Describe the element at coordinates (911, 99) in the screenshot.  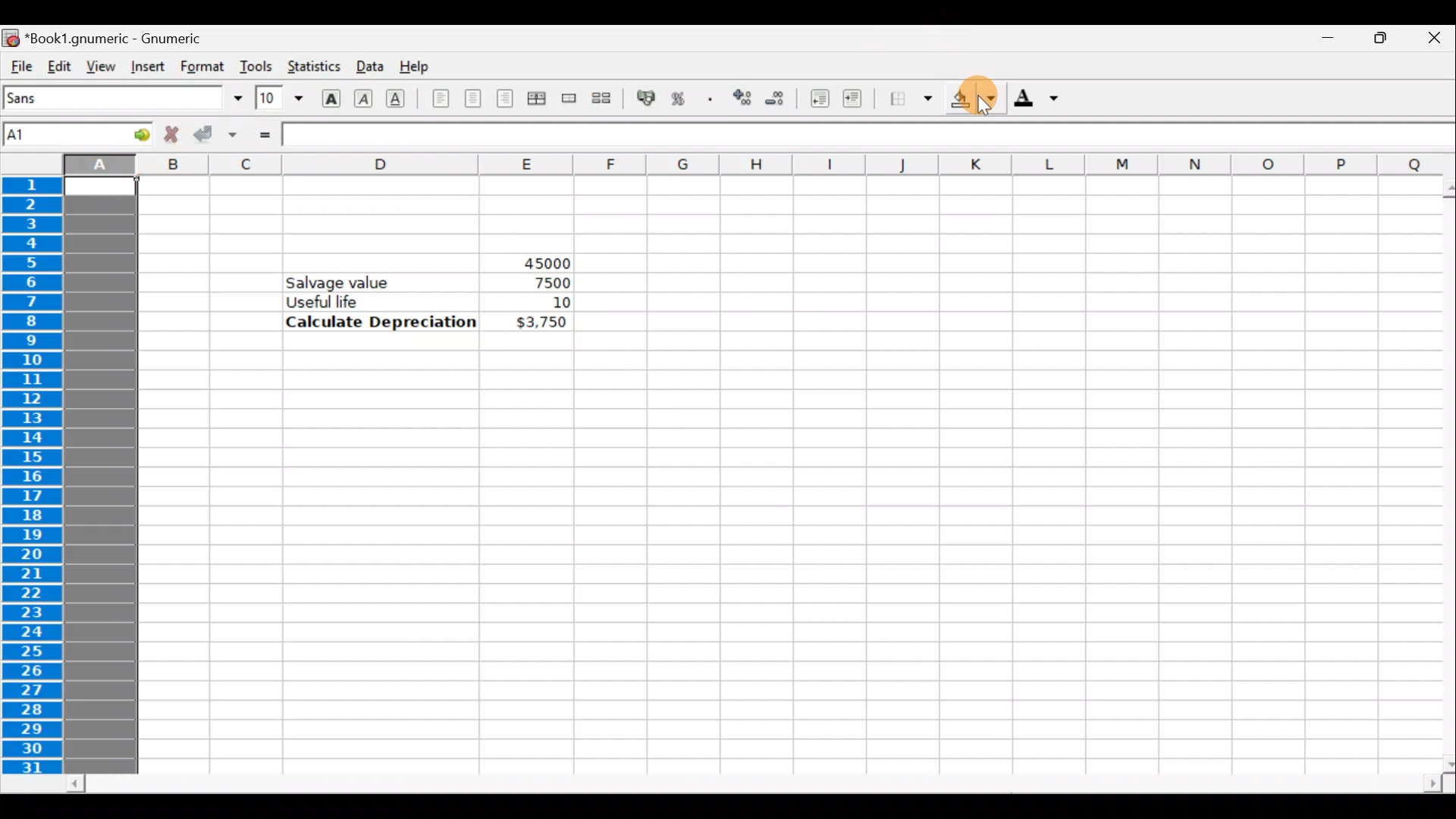
I see `Borders` at that location.